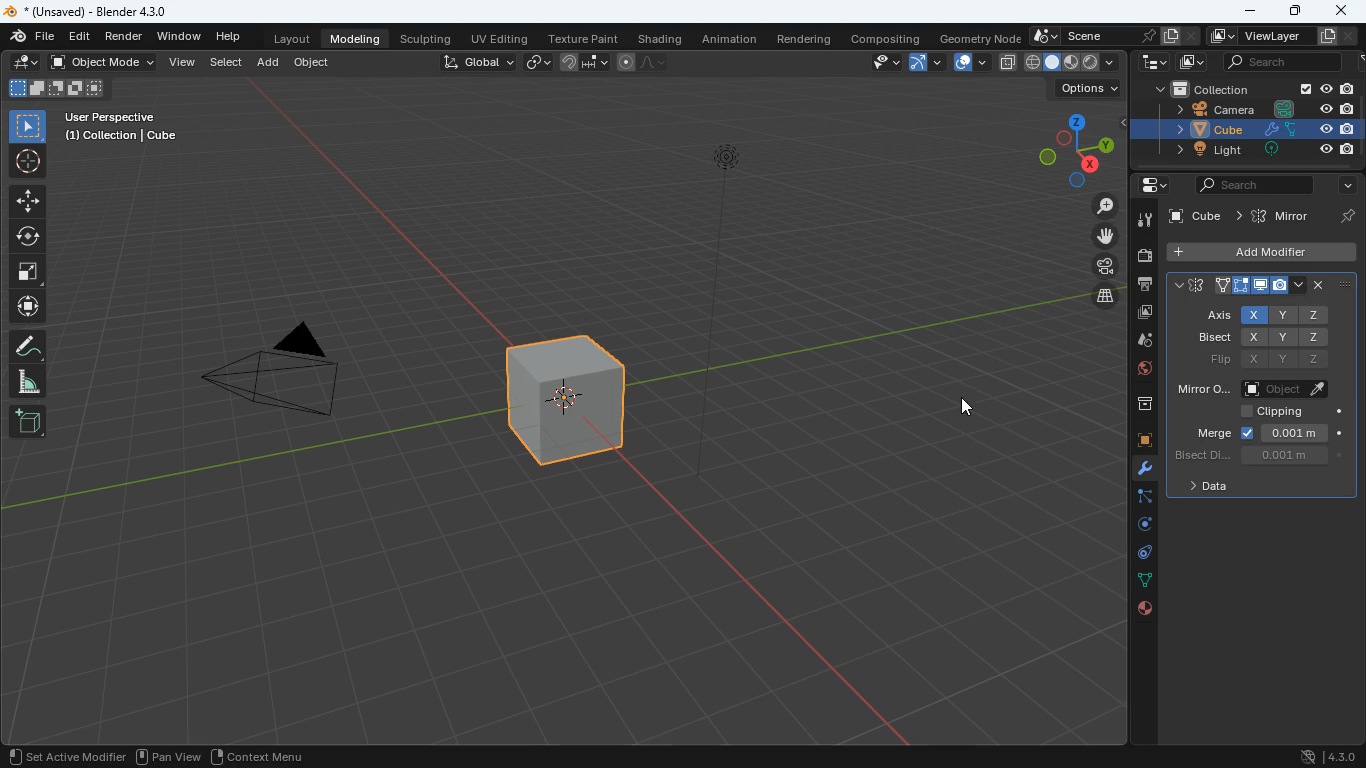  What do you see at coordinates (714, 305) in the screenshot?
I see `light` at bounding box center [714, 305].